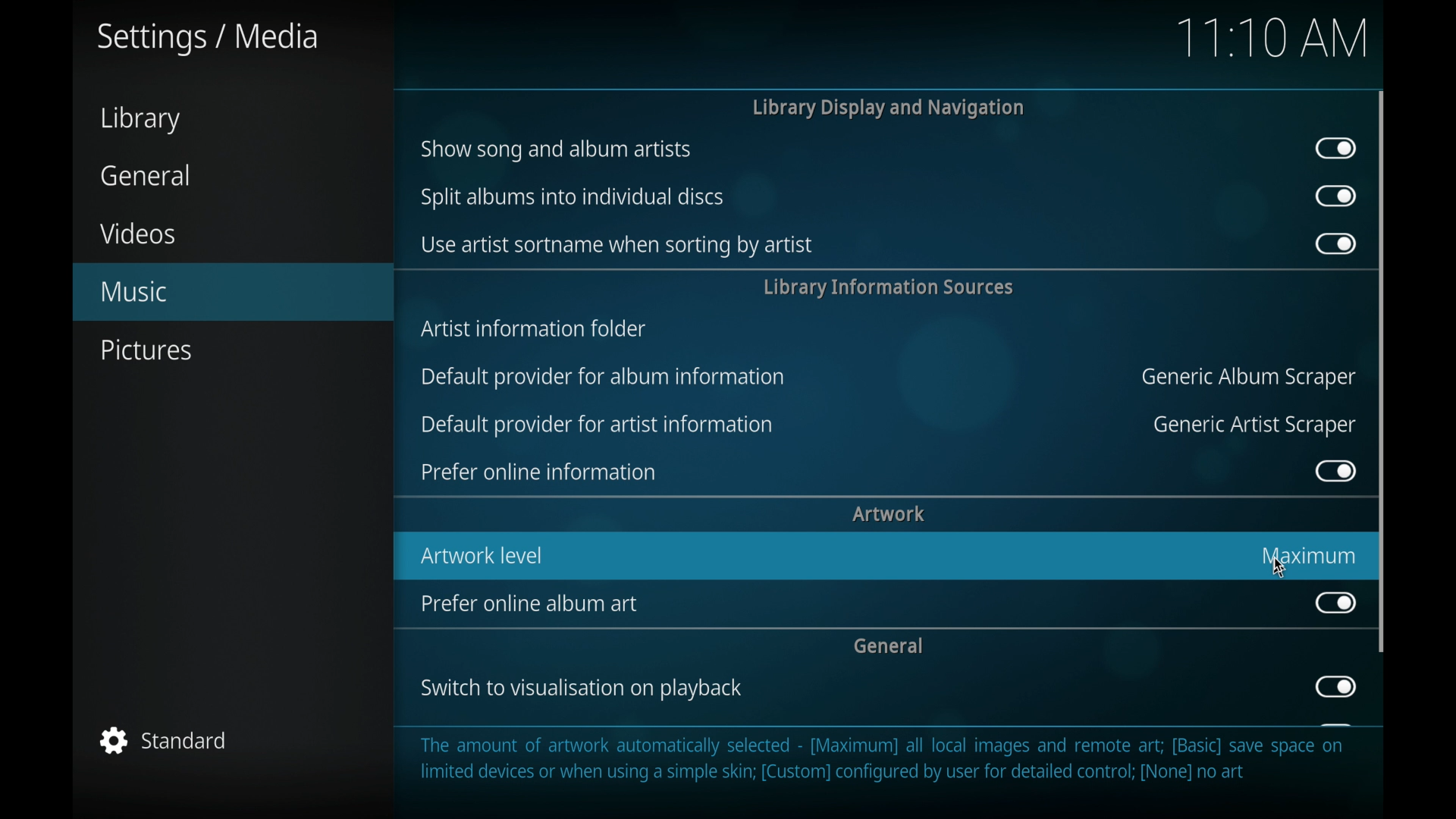 The height and width of the screenshot is (819, 1456). What do you see at coordinates (143, 120) in the screenshot?
I see `library` at bounding box center [143, 120].